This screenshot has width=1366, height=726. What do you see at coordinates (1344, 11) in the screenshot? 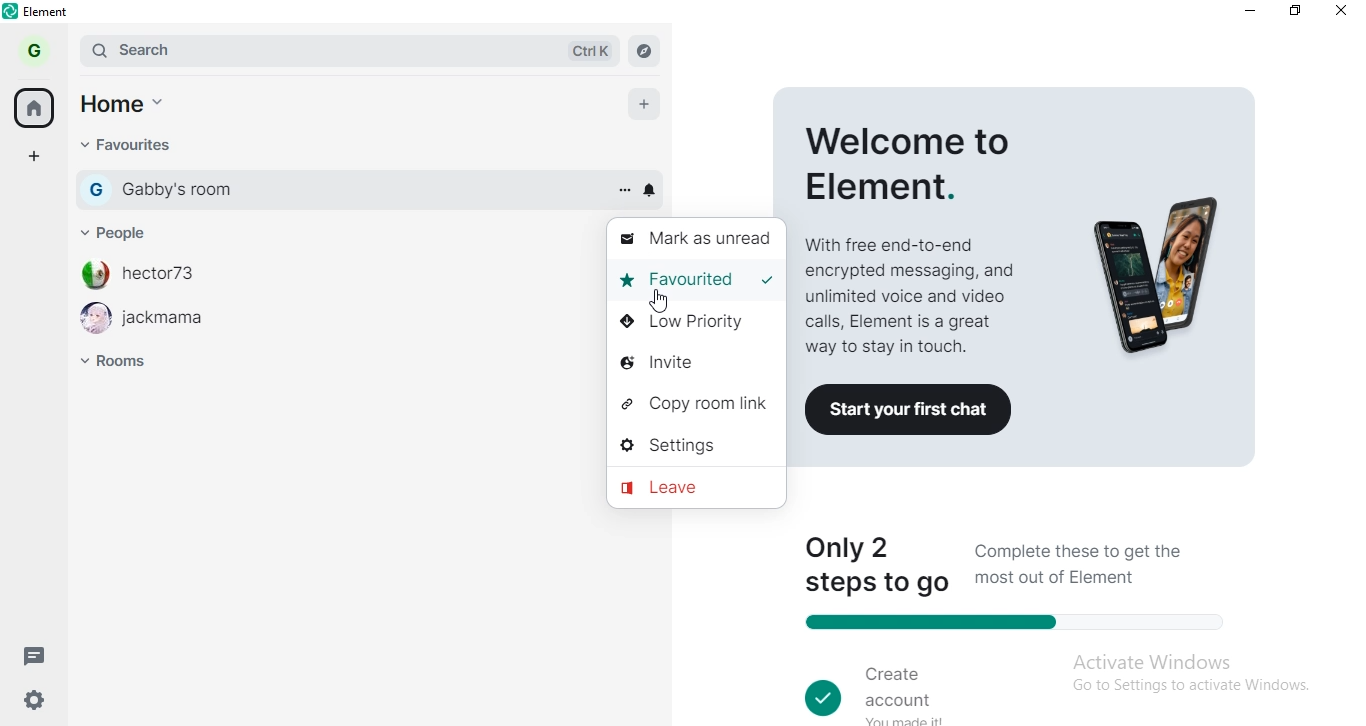
I see `close` at bounding box center [1344, 11].